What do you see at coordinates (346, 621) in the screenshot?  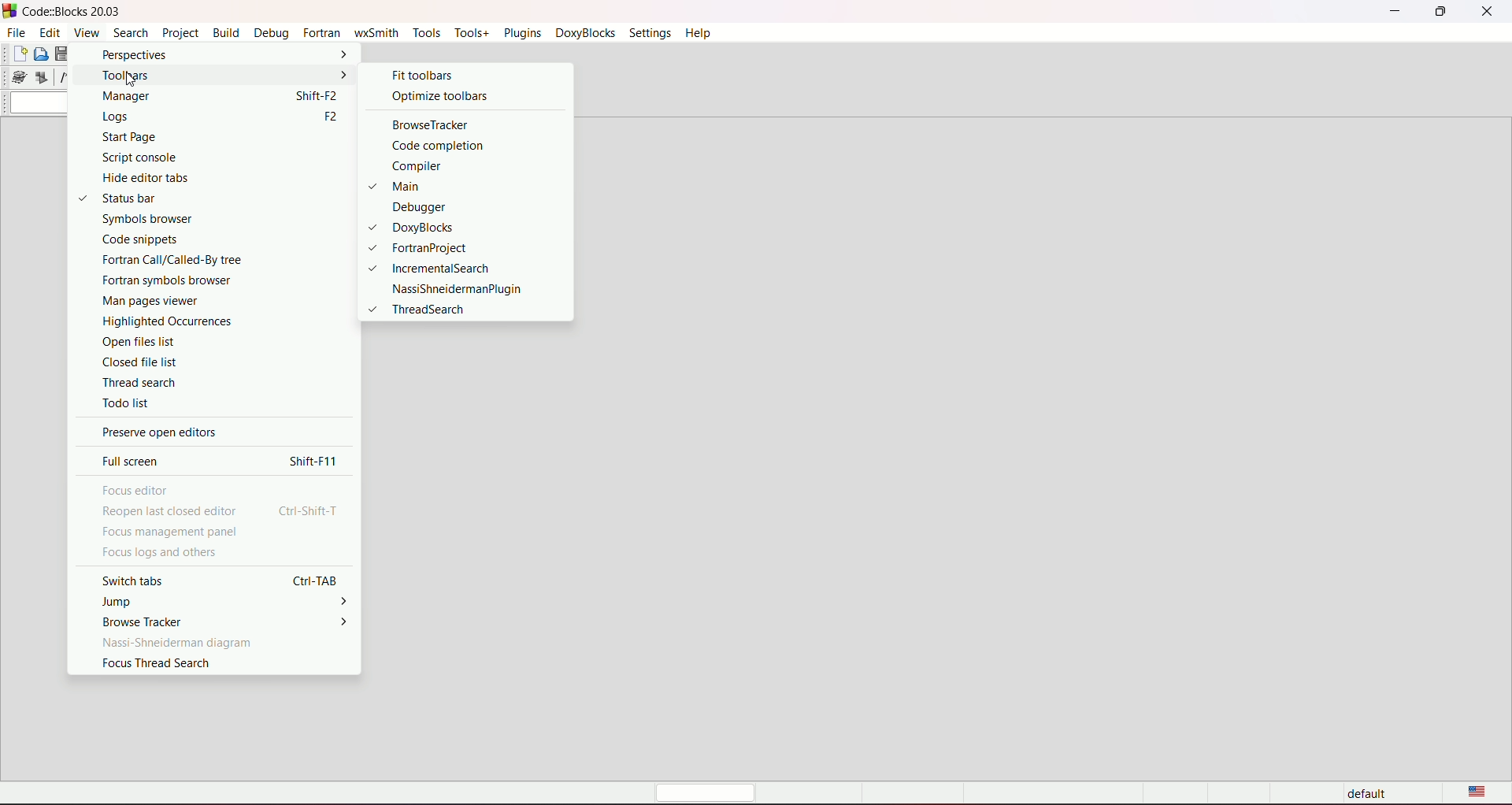 I see `arrow` at bounding box center [346, 621].